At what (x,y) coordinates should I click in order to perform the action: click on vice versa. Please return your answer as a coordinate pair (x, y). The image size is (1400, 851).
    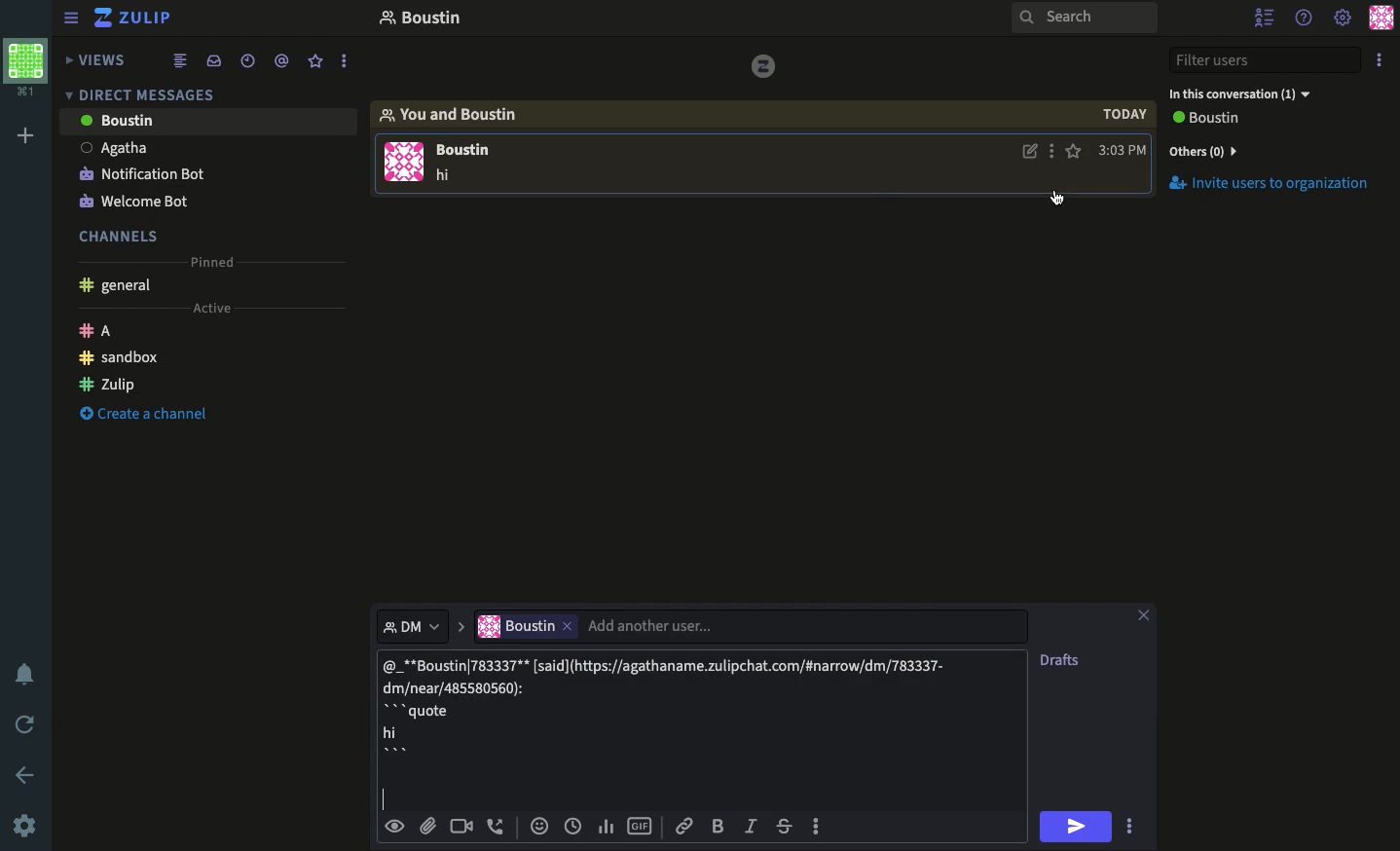
    Looking at the image, I should click on (762, 64).